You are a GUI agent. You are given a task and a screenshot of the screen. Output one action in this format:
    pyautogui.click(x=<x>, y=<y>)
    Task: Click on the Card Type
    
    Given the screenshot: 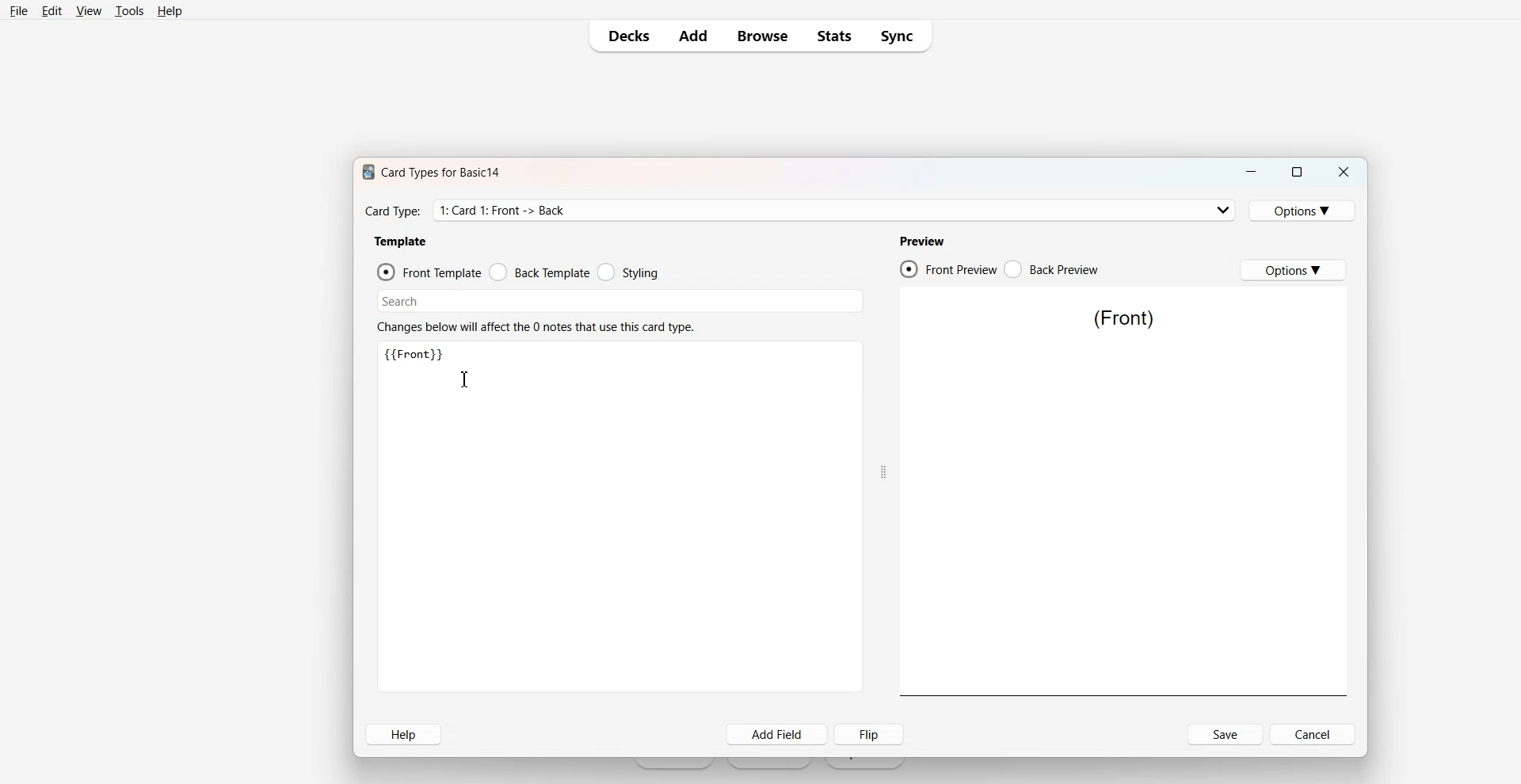 What is the action you would take?
    pyautogui.click(x=834, y=211)
    